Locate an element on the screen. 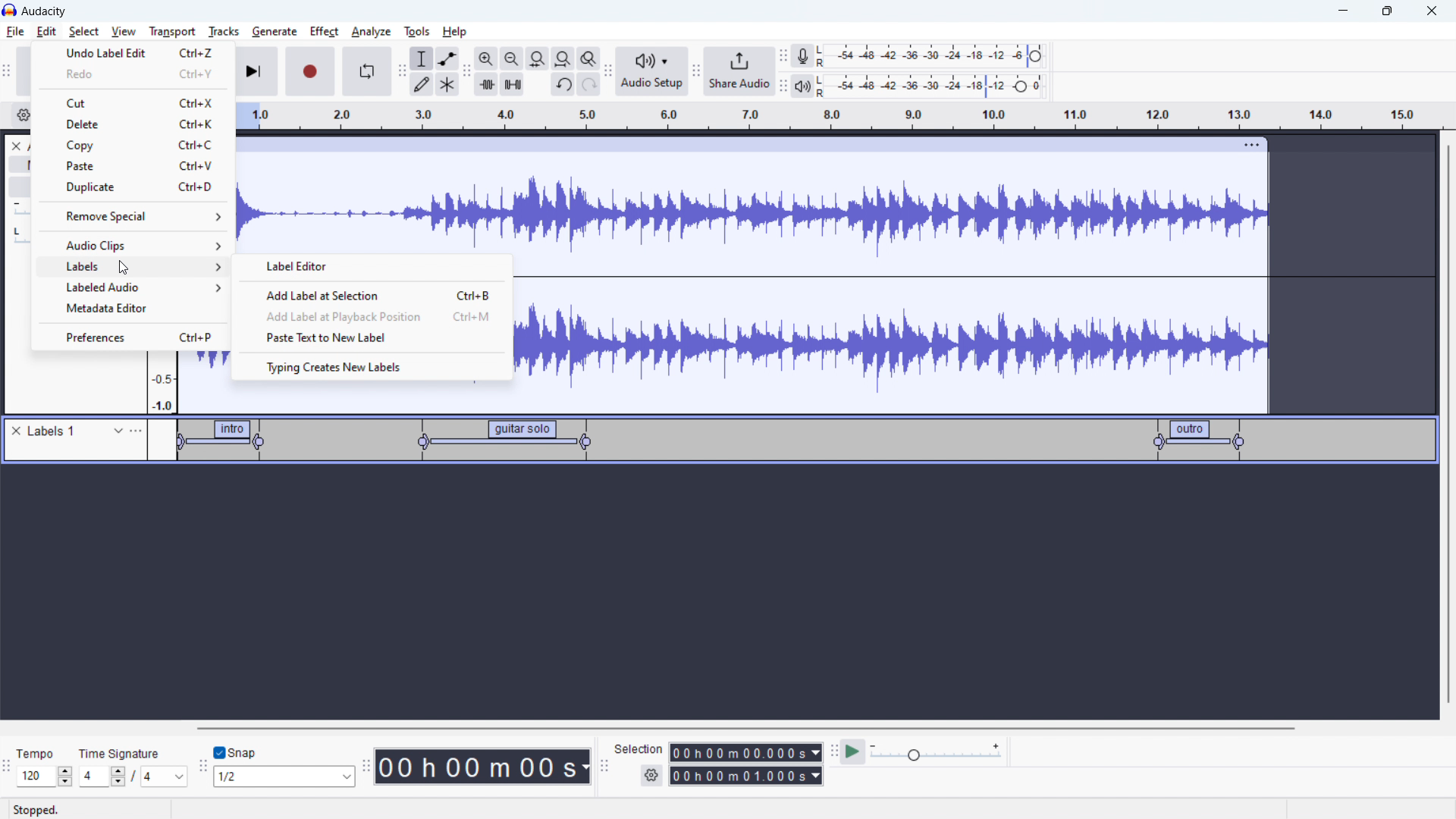  recording meter is located at coordinates (803, 56).